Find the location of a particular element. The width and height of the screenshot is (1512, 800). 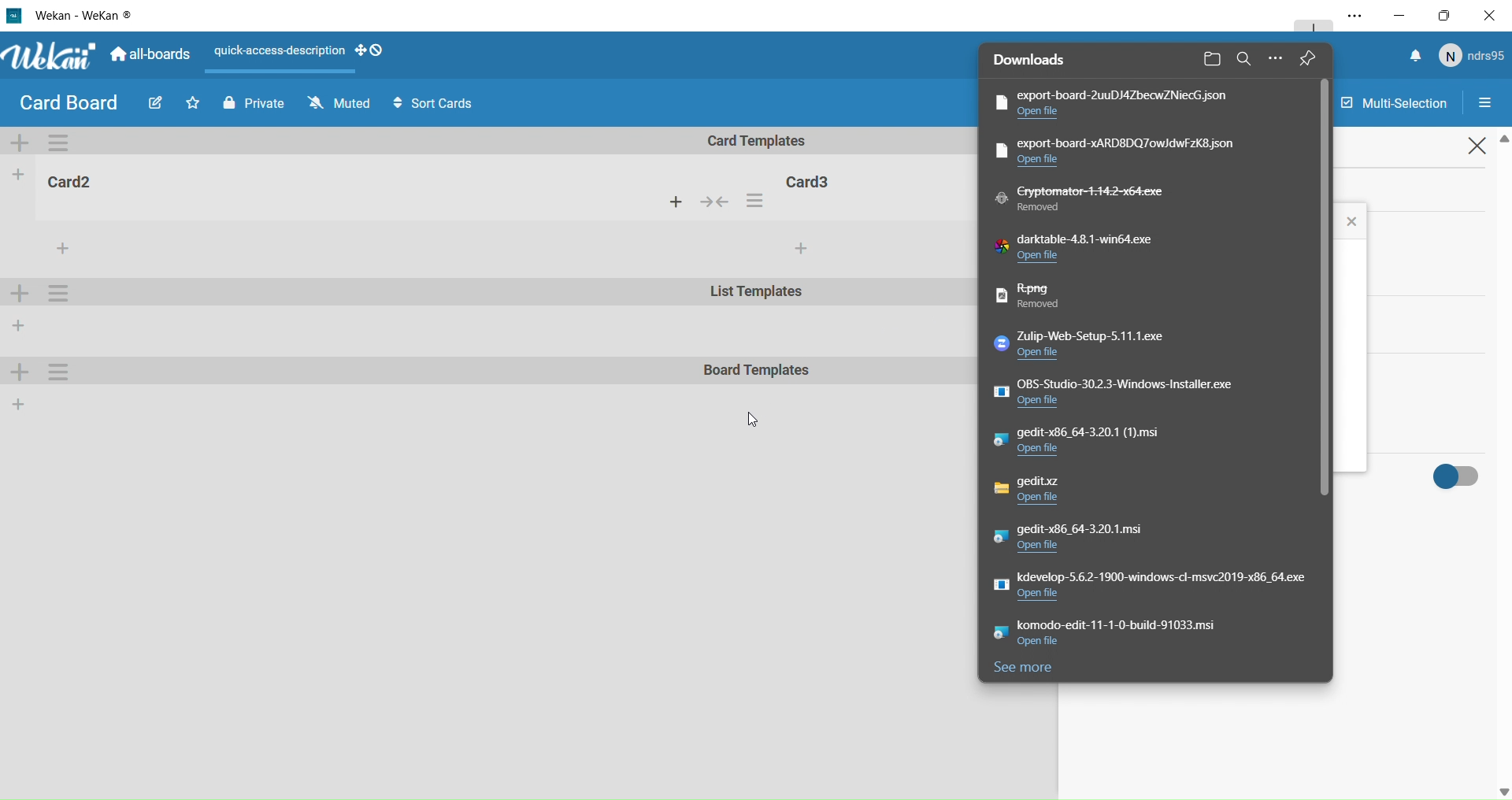

exported is located at coordinates (1117, 103).